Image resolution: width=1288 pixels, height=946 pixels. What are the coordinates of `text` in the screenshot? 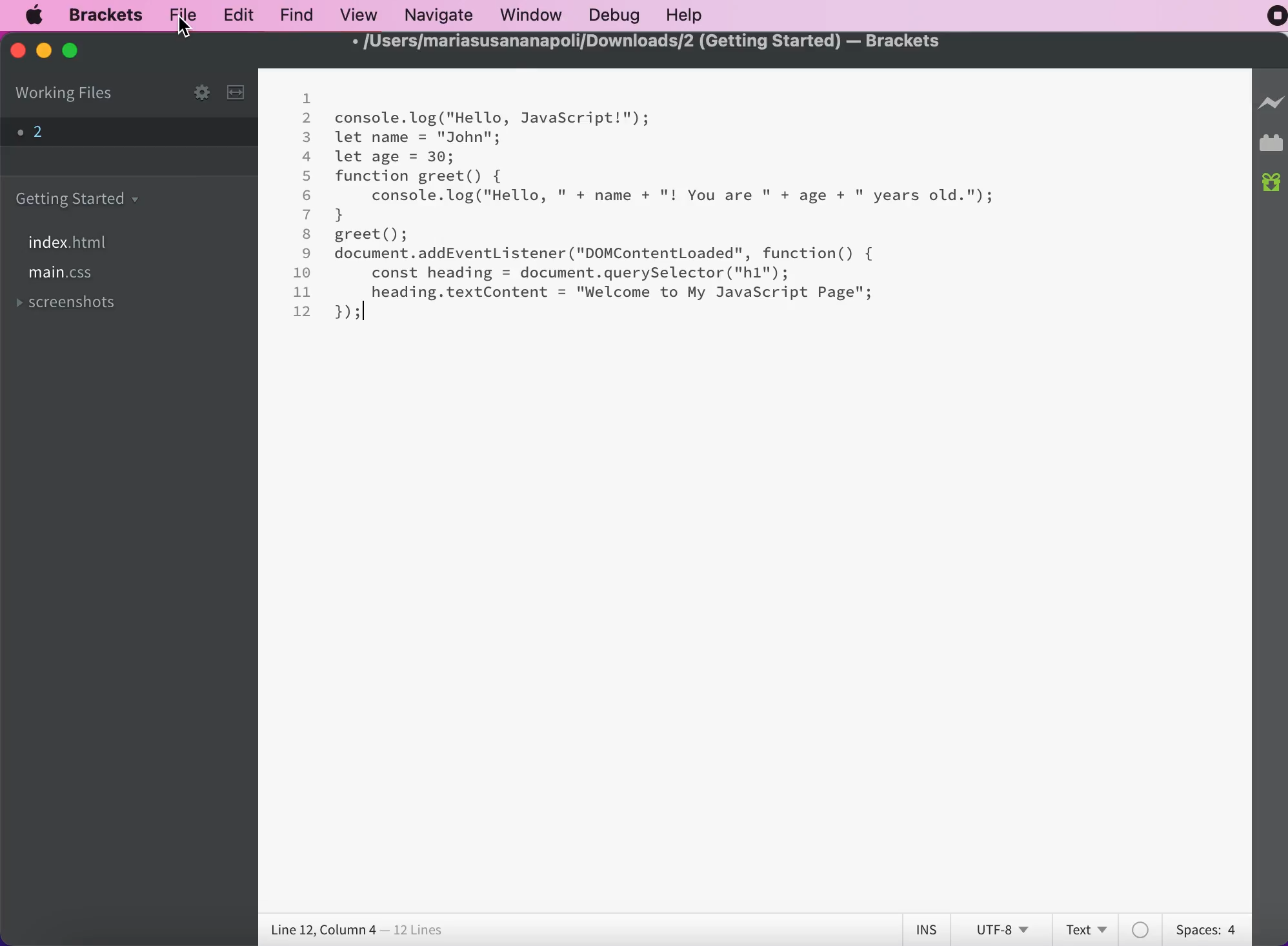 It's located at (1089, 928).